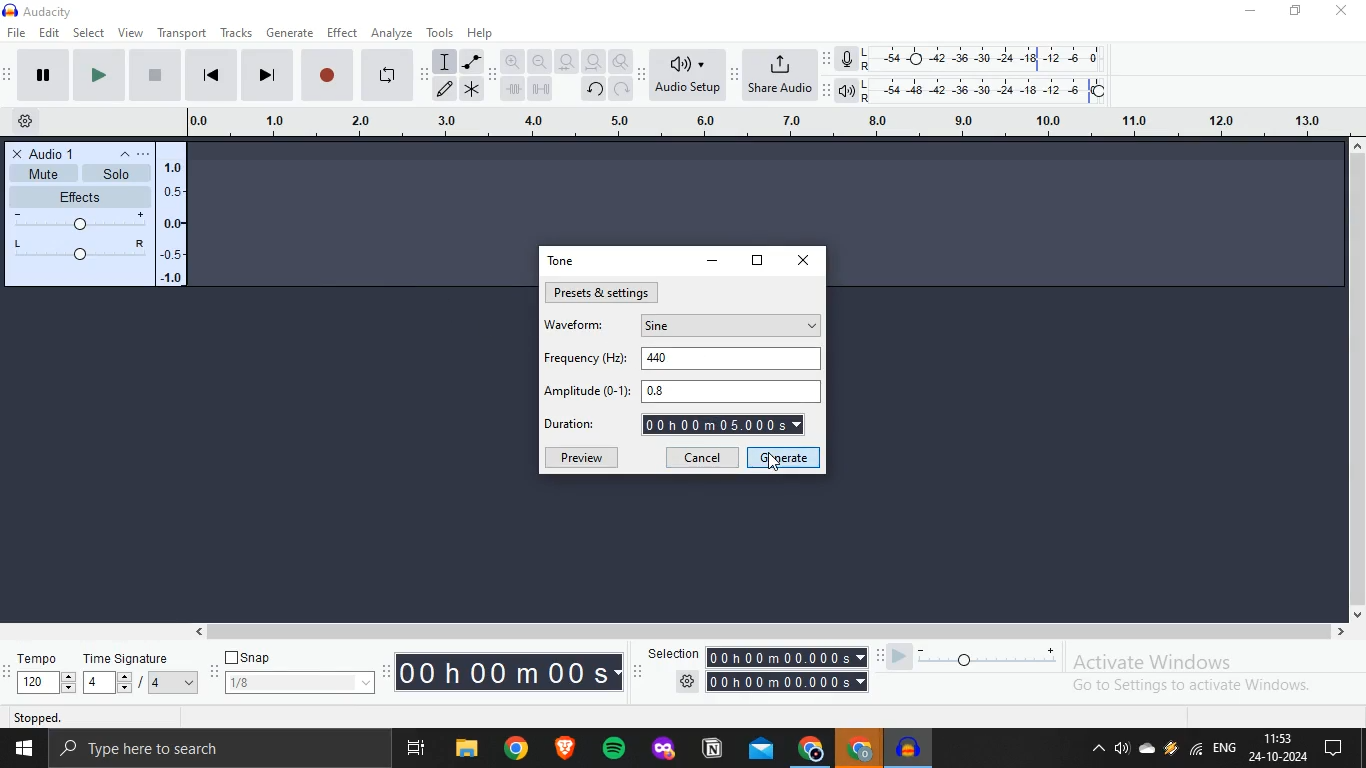  Describe the element at coordinates (52, 33) in the screenshot. I see `Edit` at that location.